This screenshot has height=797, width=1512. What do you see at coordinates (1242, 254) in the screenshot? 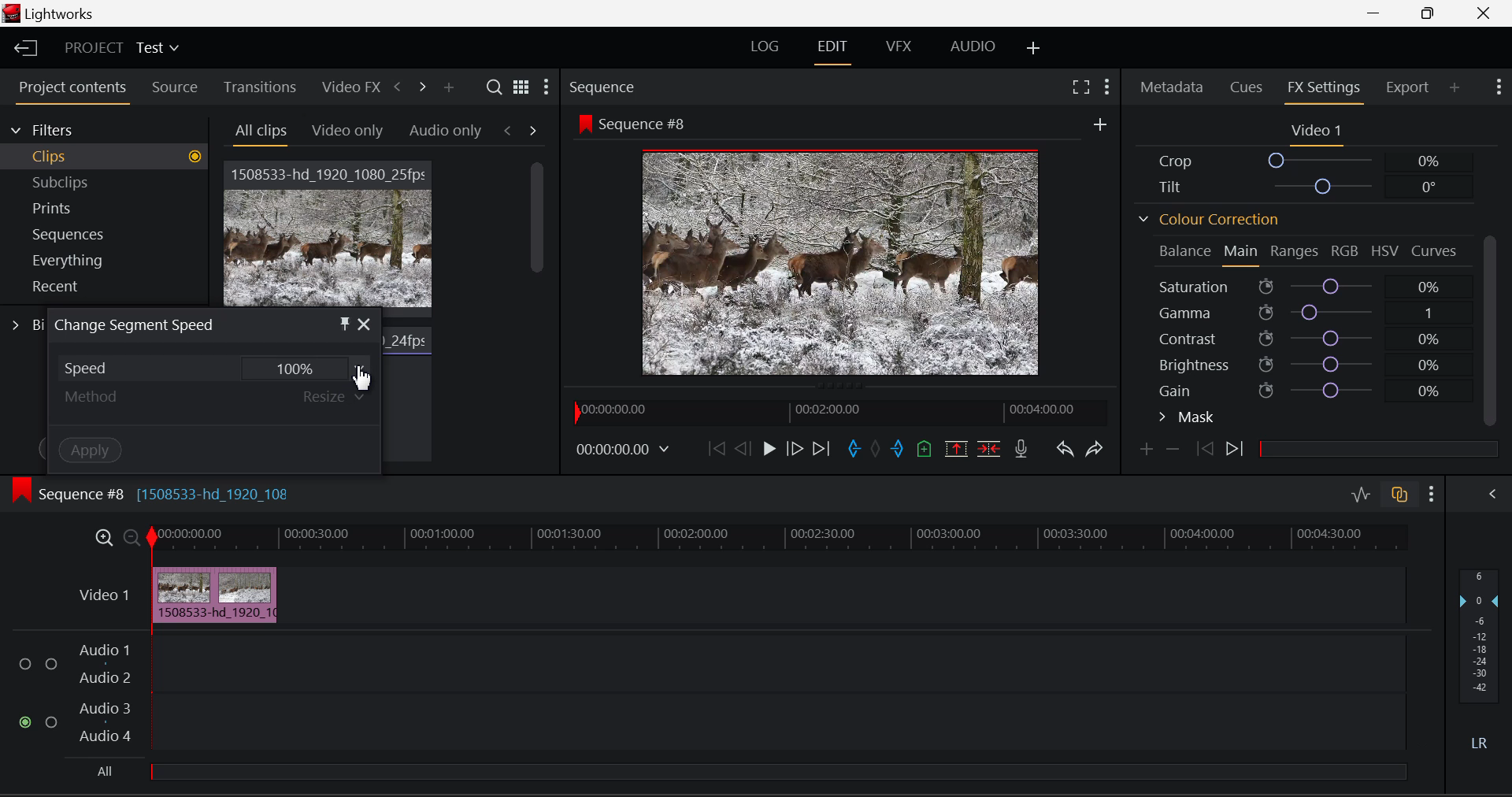
I see `Main Tab Open` at bounding box center [1242, 254].